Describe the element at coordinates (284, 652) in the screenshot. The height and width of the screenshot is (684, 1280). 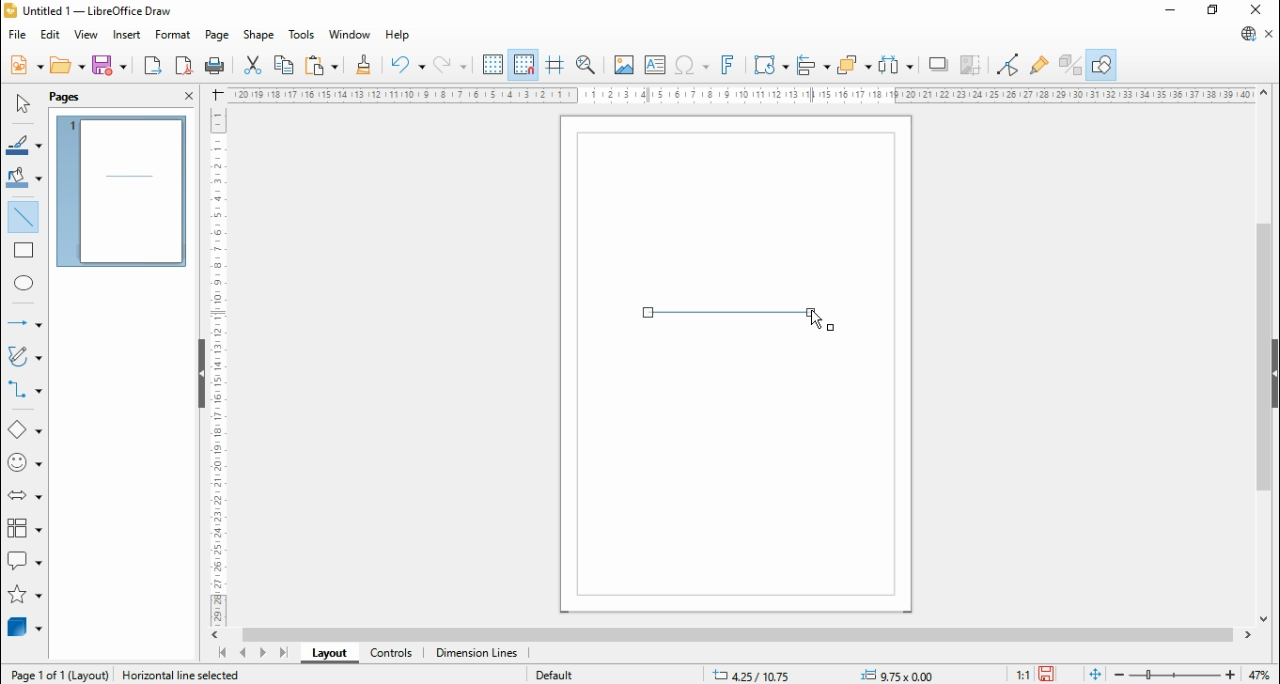
I see `last page` at that location.